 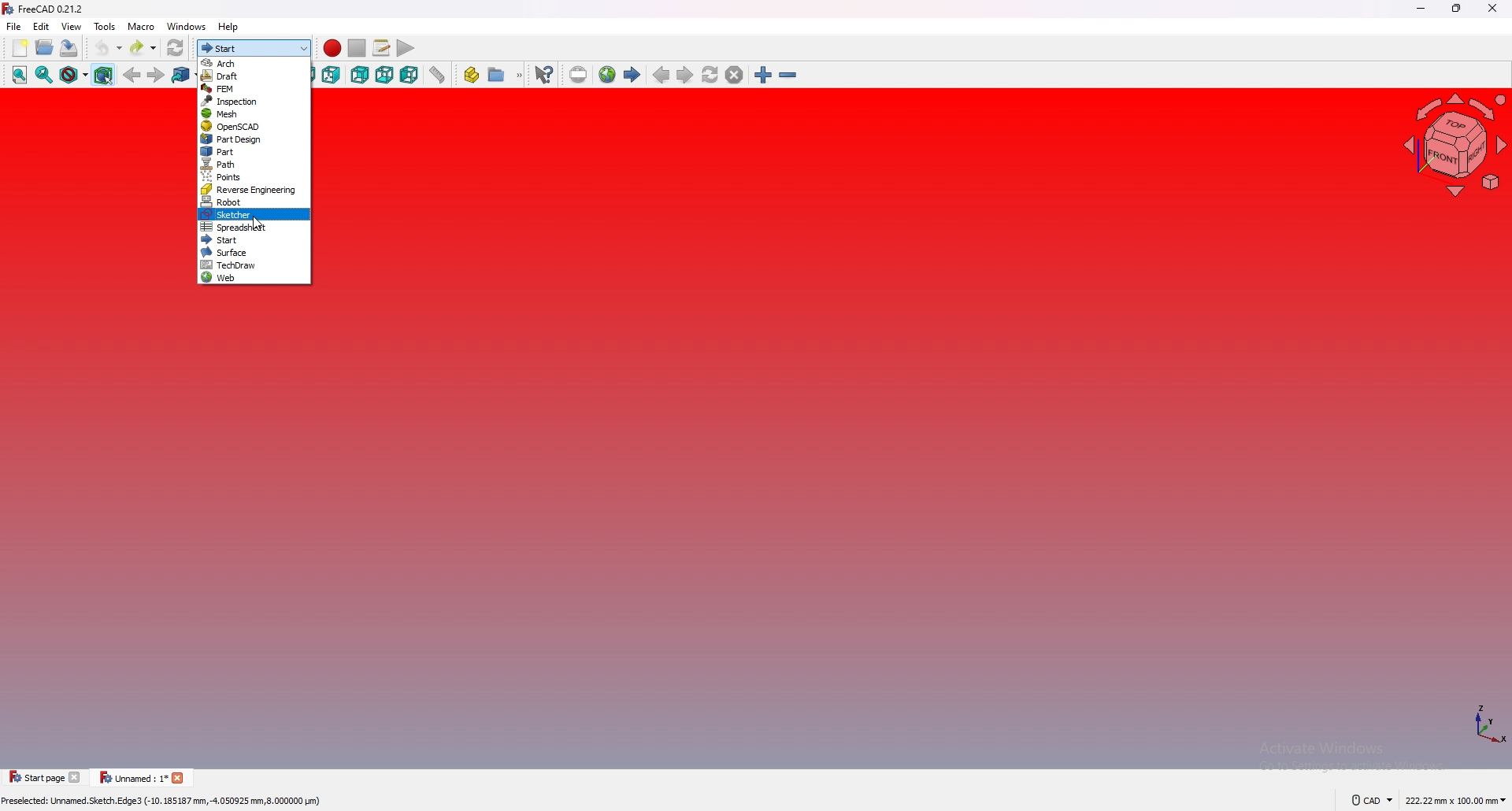 I want to click on sketcher, so click(x=254, y=214).